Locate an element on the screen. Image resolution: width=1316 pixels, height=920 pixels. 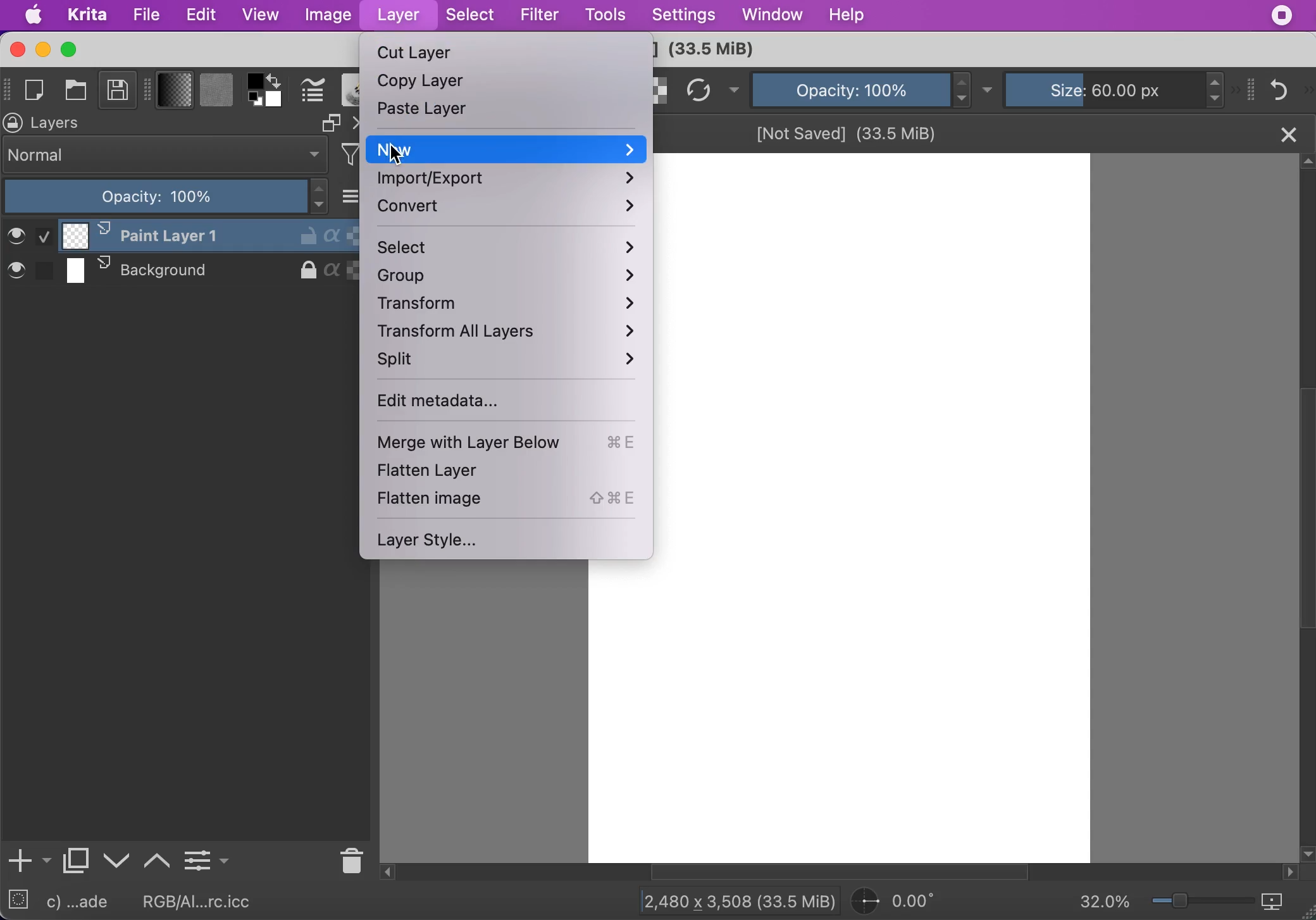
window is located at coordinates (771, 16).